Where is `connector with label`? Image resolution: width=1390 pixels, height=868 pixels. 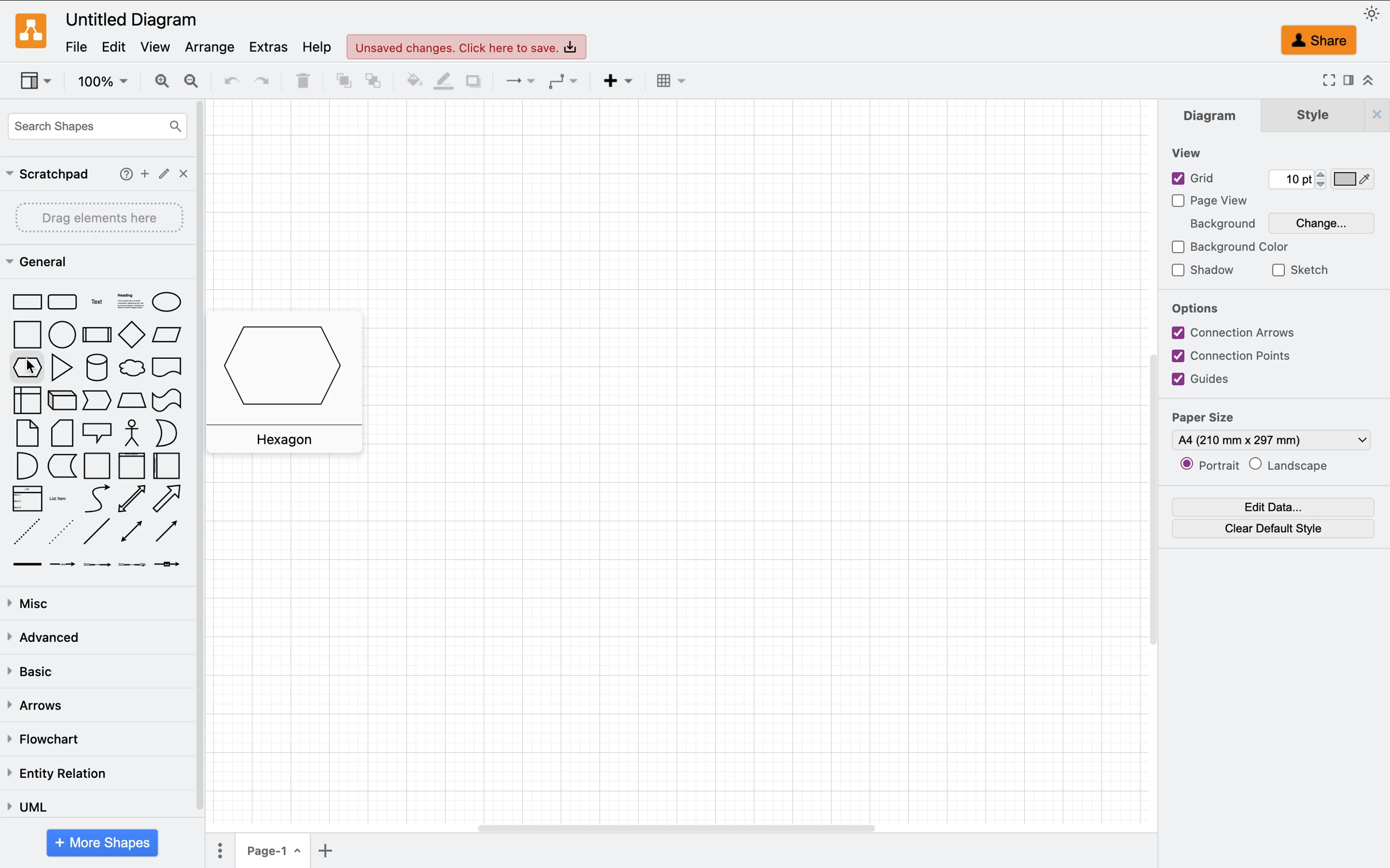 connector with label is located at coordinates (60, 568).